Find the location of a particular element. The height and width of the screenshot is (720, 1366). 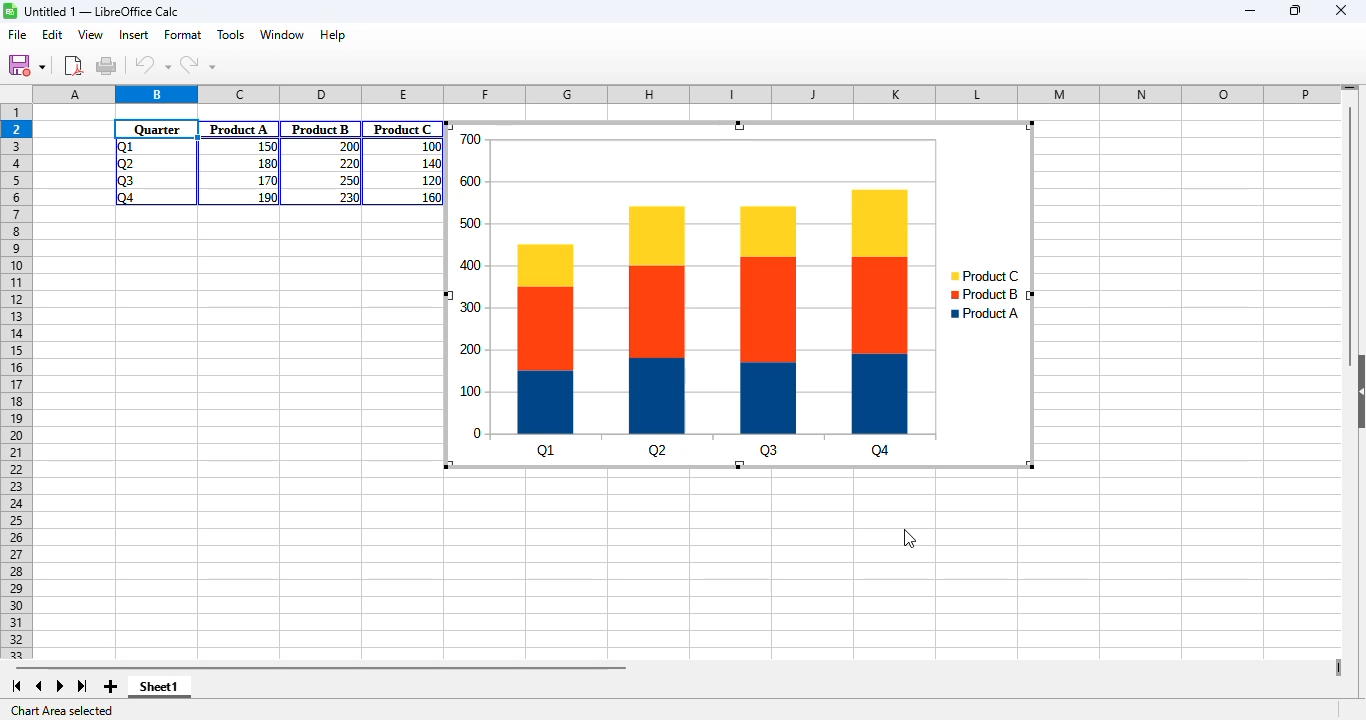

Q2 is located at coordinates (126, 164).